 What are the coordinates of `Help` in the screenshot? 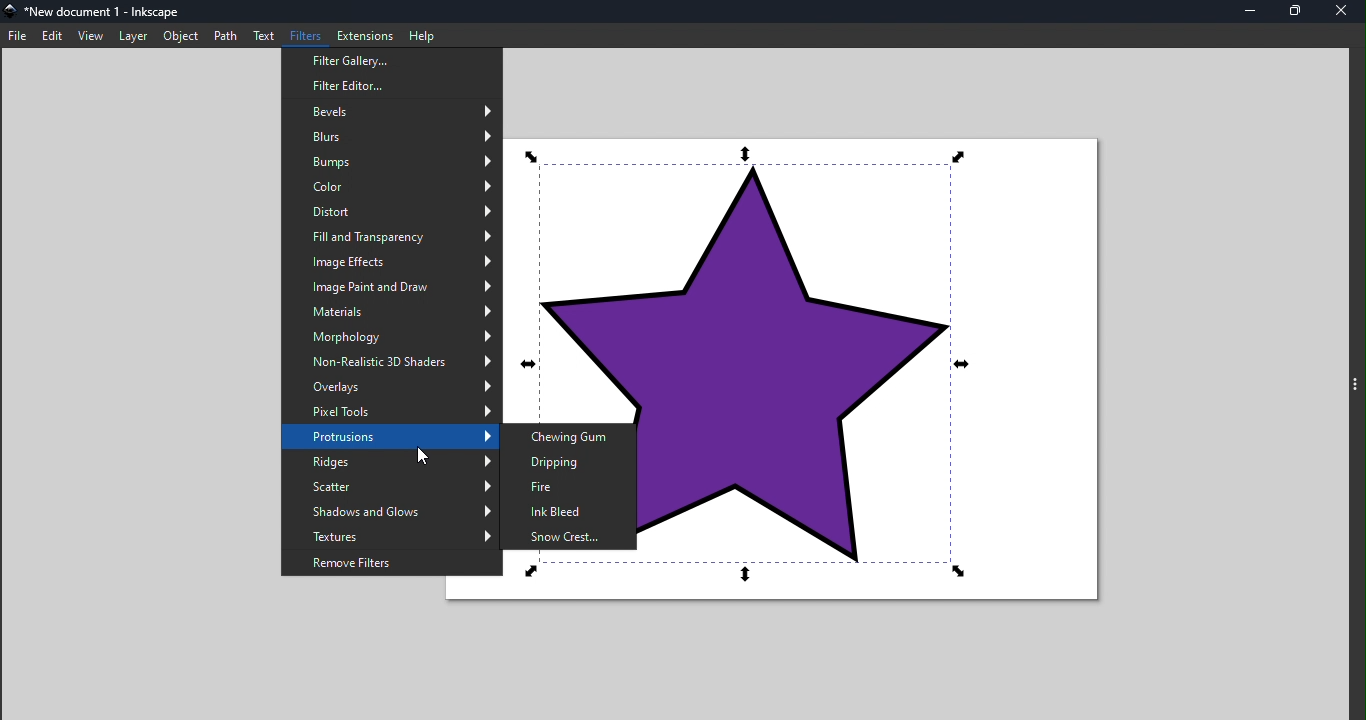 It's located at (423, 33).